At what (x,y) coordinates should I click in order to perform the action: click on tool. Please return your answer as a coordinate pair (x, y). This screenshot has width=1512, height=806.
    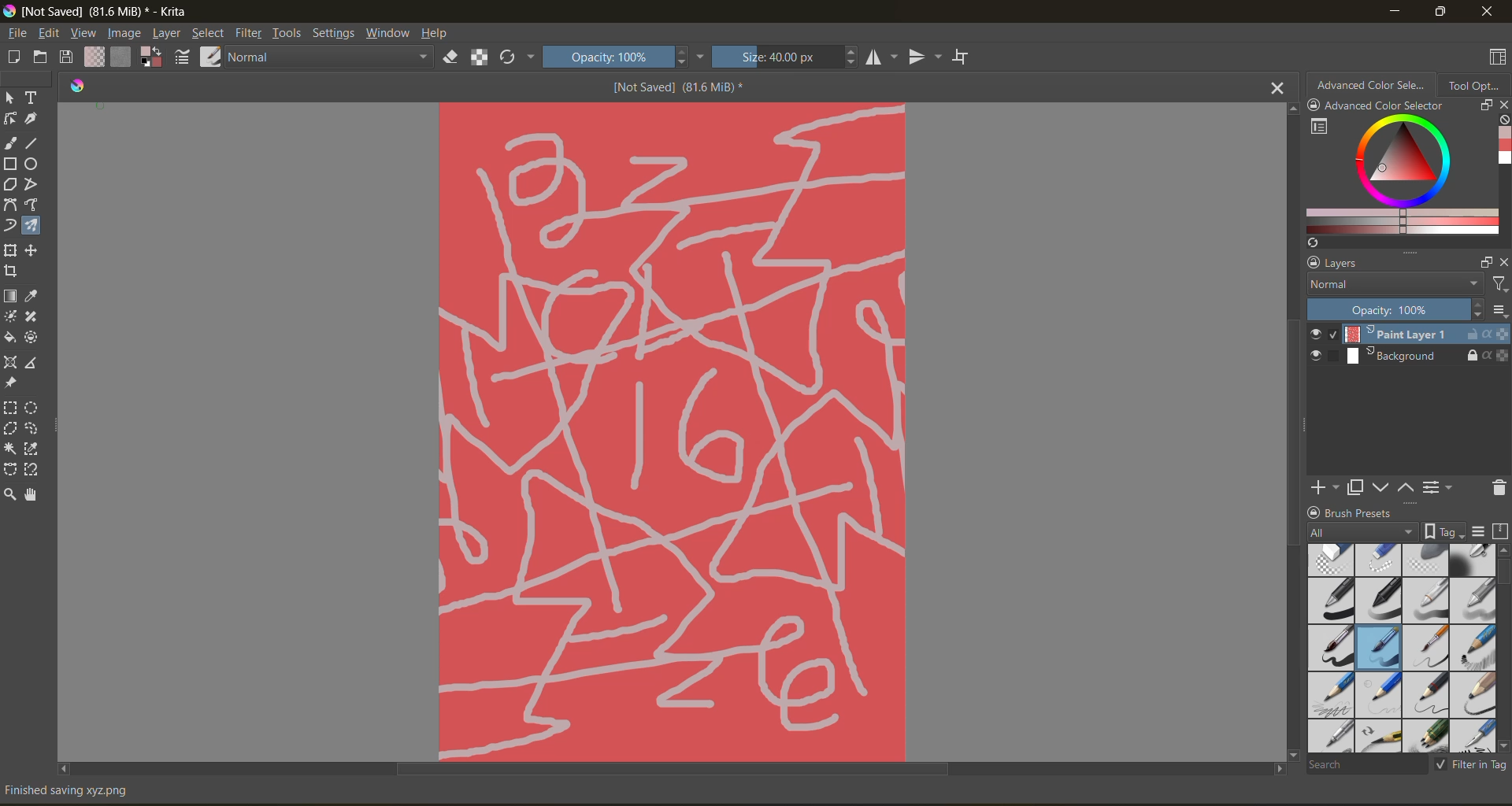
    Looking at the image, I should click on (32, 98).